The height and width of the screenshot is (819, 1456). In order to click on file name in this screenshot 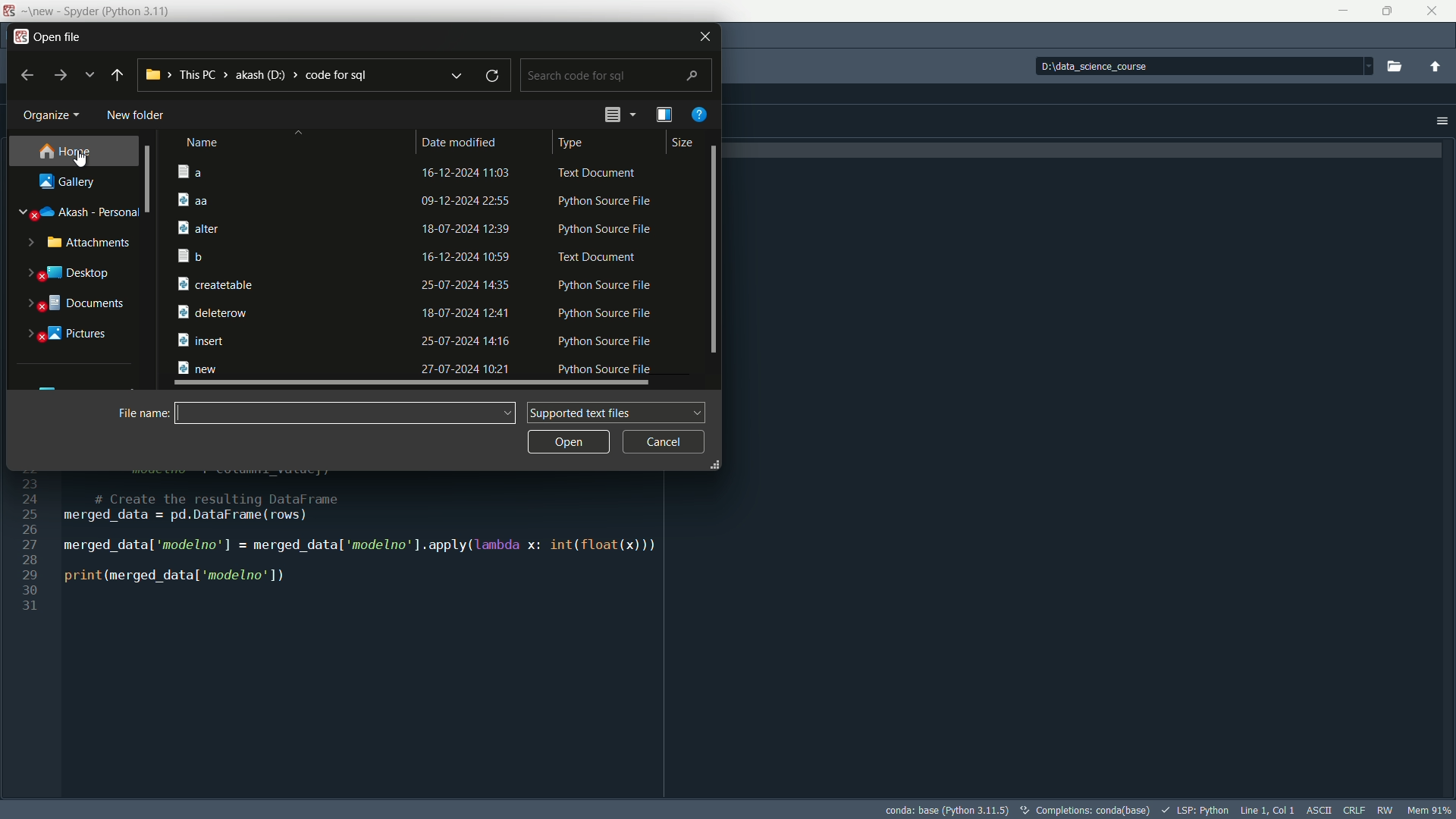, I will do `click(282, 340)`.